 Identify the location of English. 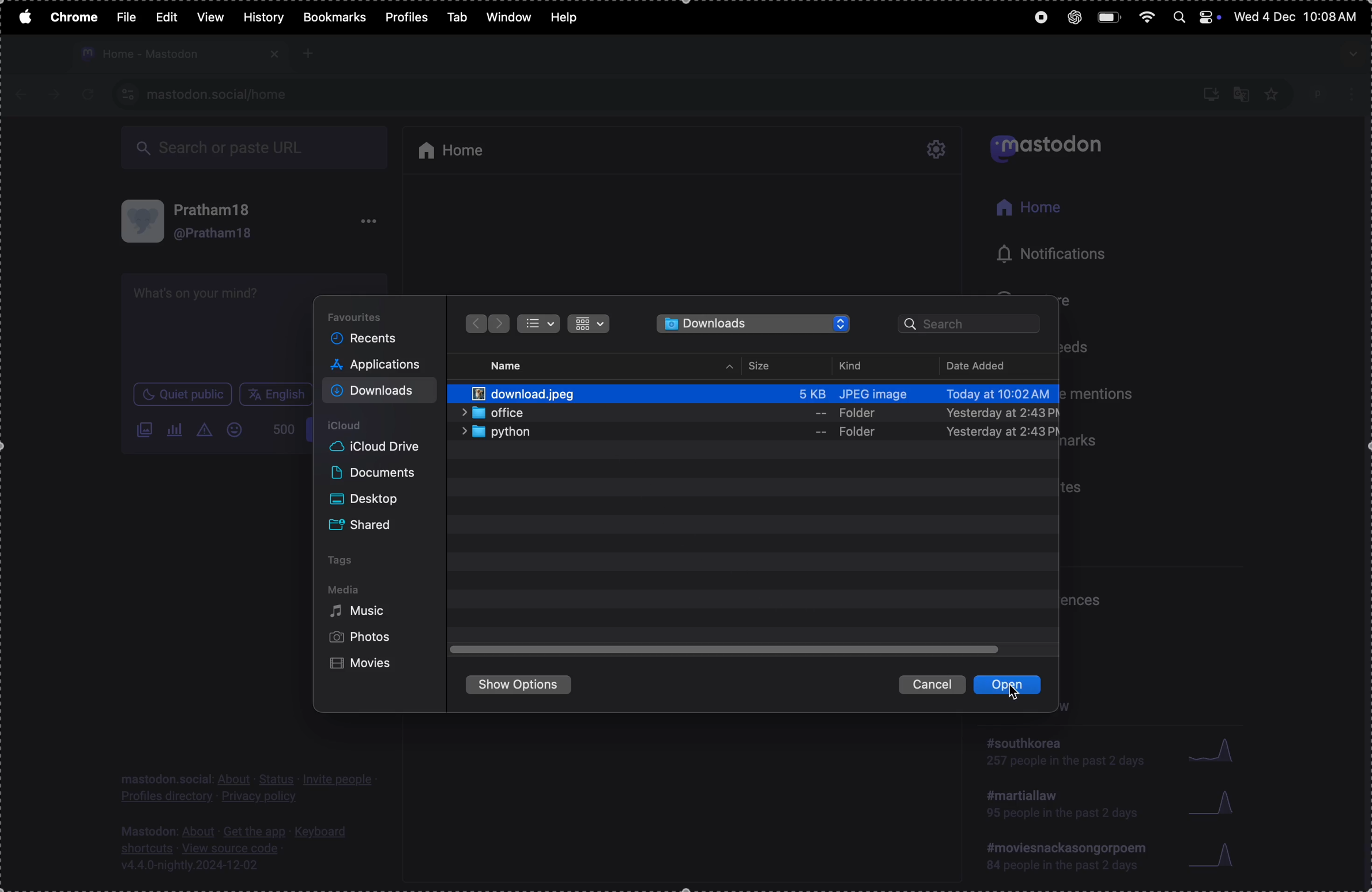
(276, 394).